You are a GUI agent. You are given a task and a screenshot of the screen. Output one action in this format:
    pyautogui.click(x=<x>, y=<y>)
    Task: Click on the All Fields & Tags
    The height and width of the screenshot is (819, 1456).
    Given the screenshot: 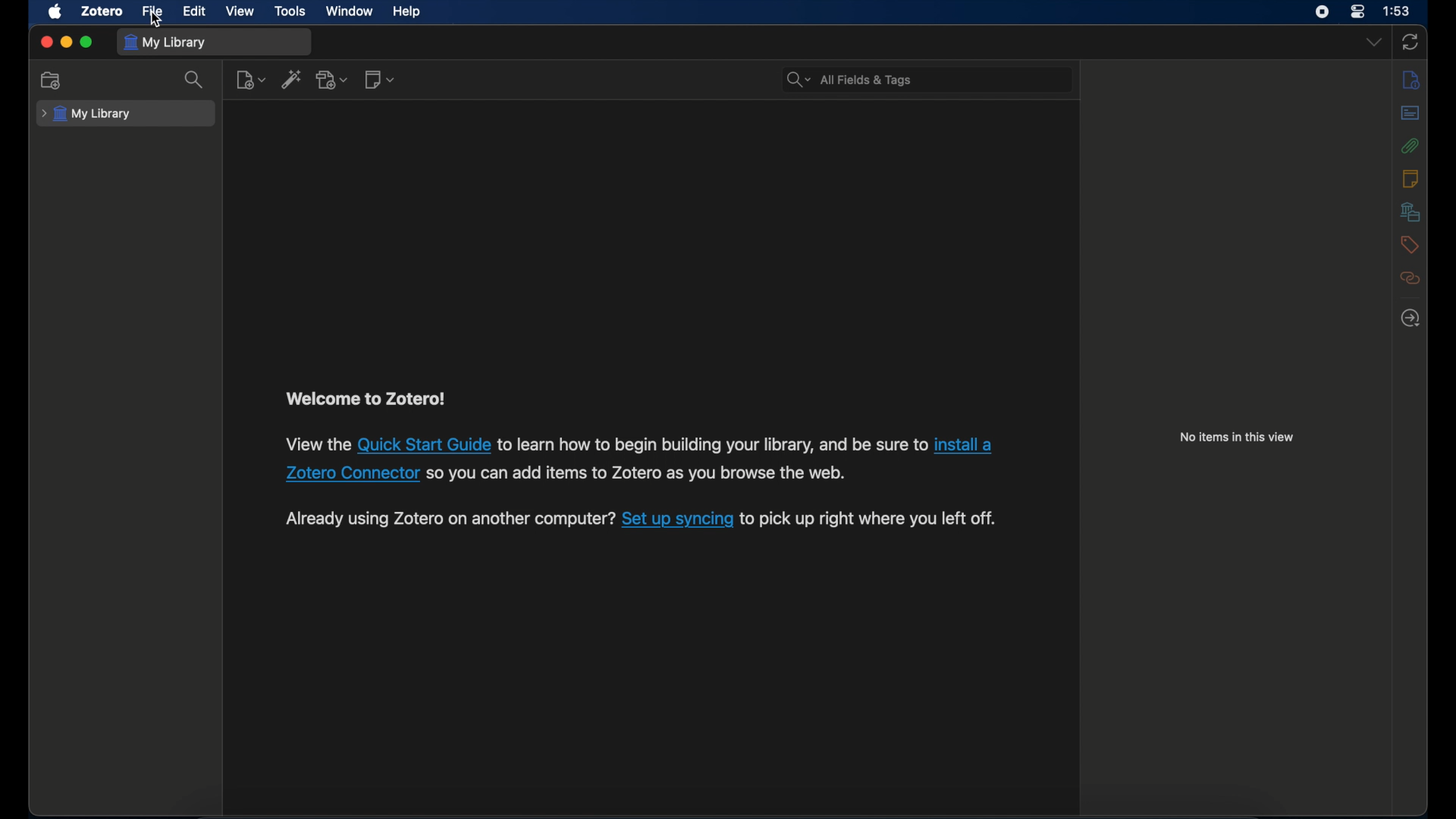 What is the action you would take?
    pyautogui.click(x=924, y=78)
    